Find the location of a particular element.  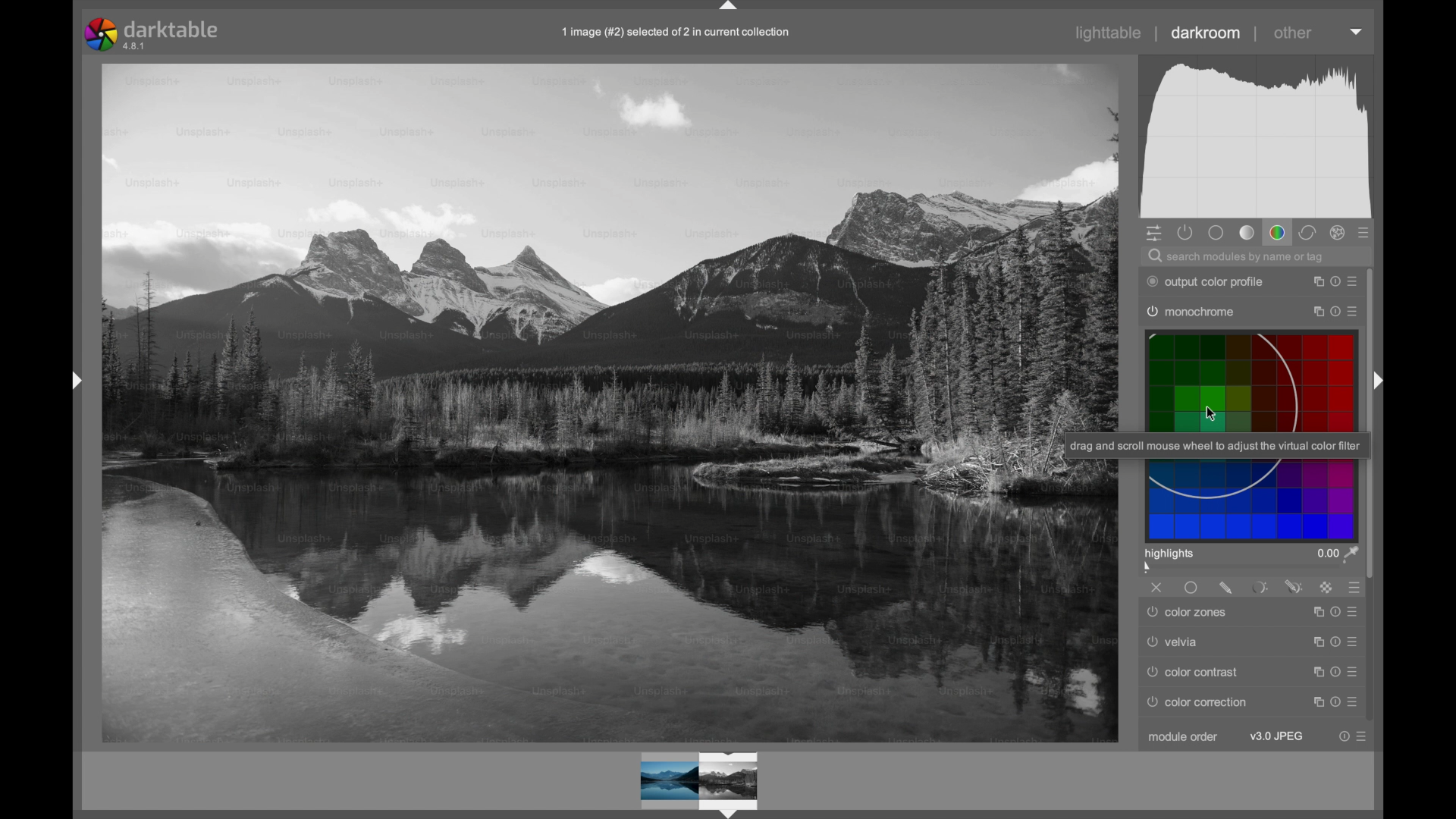

instance is located at coordinates (1316, 312).